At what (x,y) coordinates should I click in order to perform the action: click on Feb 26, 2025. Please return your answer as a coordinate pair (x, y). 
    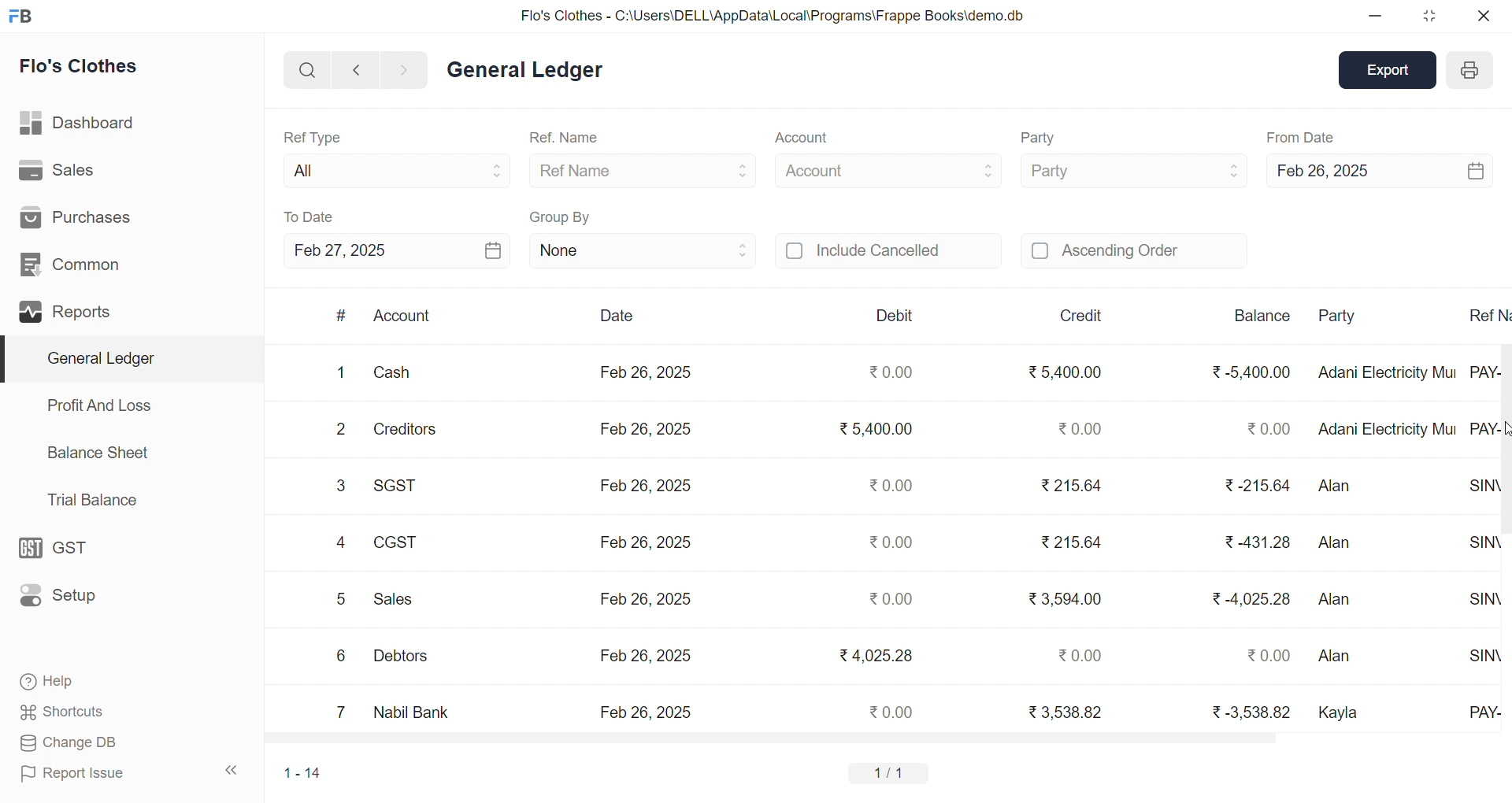
    Looking at the image, I should click on (646, 599).